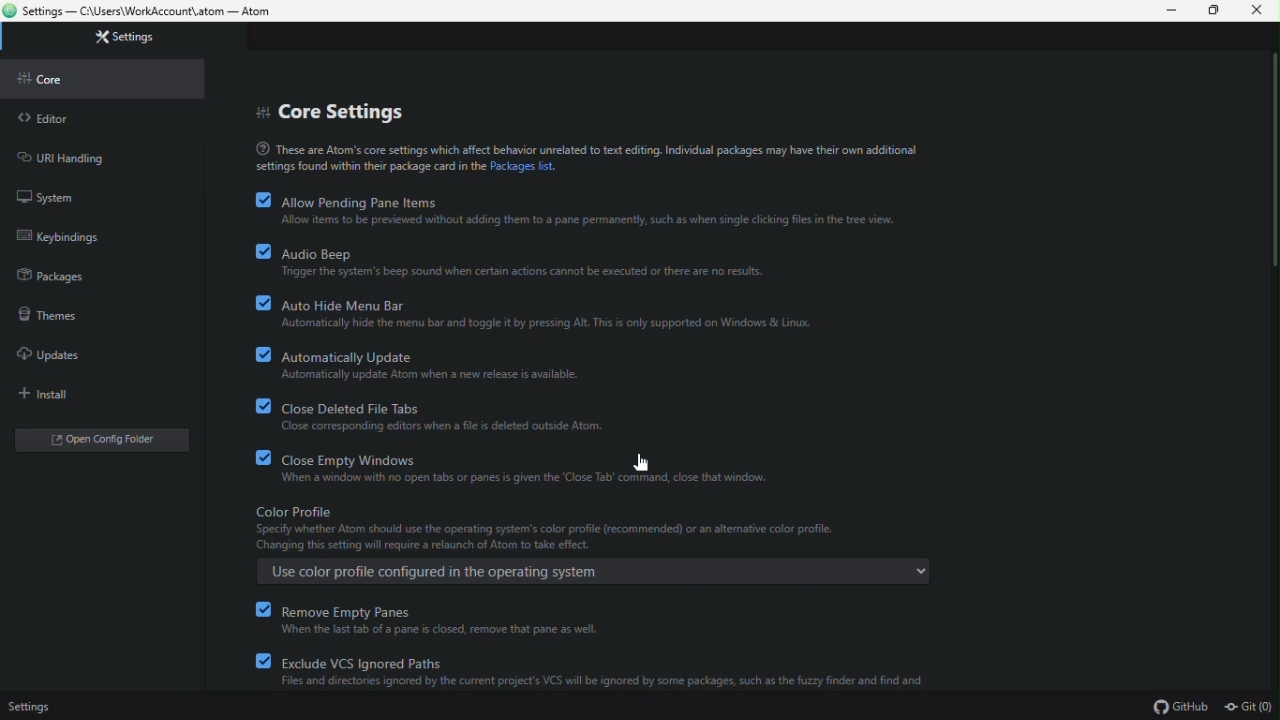 The image size is (1280, 720). What do you see at coordinates (603, 417) in the screenshot?
I see `Close deleted file tabs` at bounding box center [603, 417].